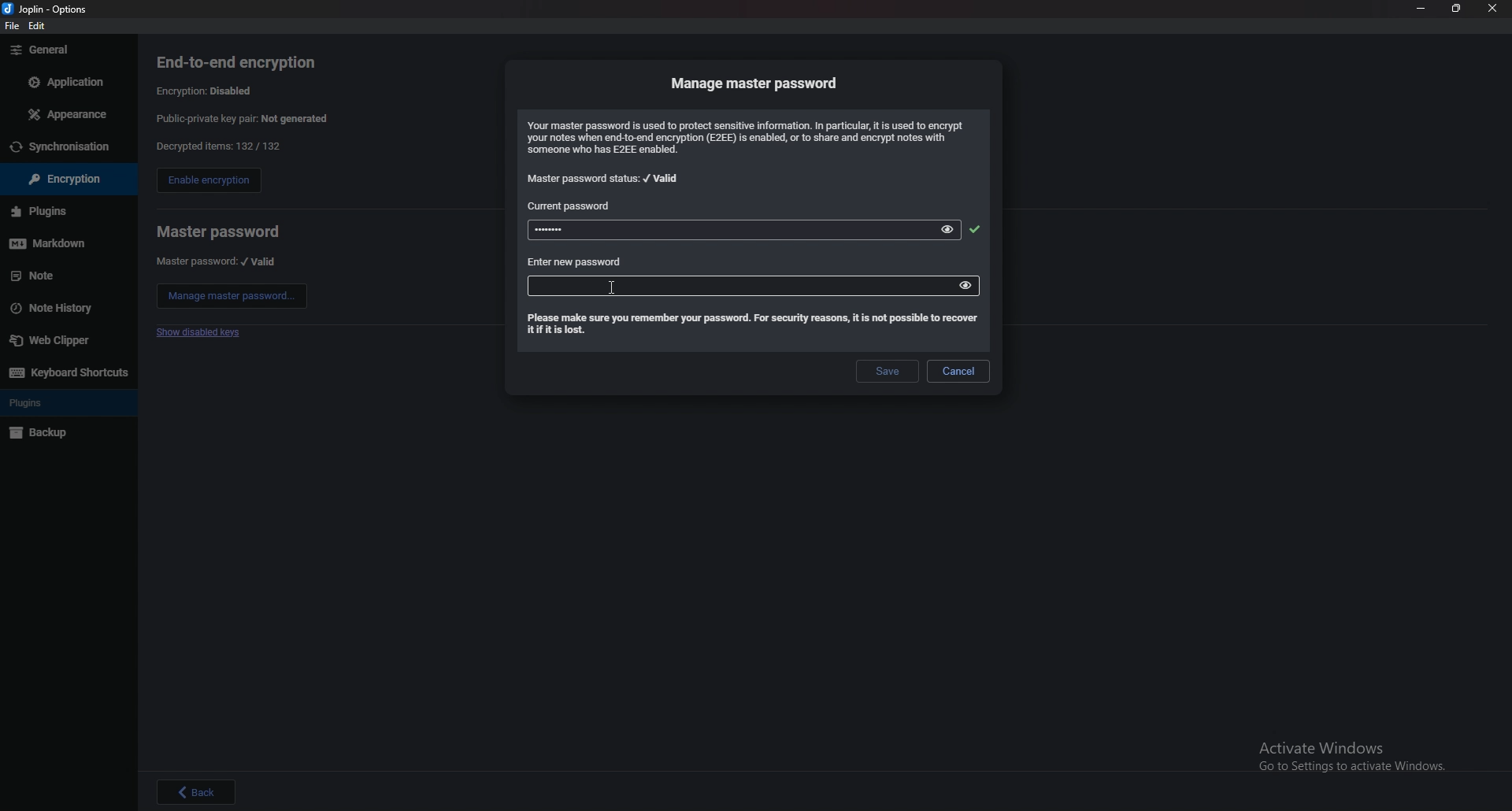  I want to click on file, so click(13, 28).